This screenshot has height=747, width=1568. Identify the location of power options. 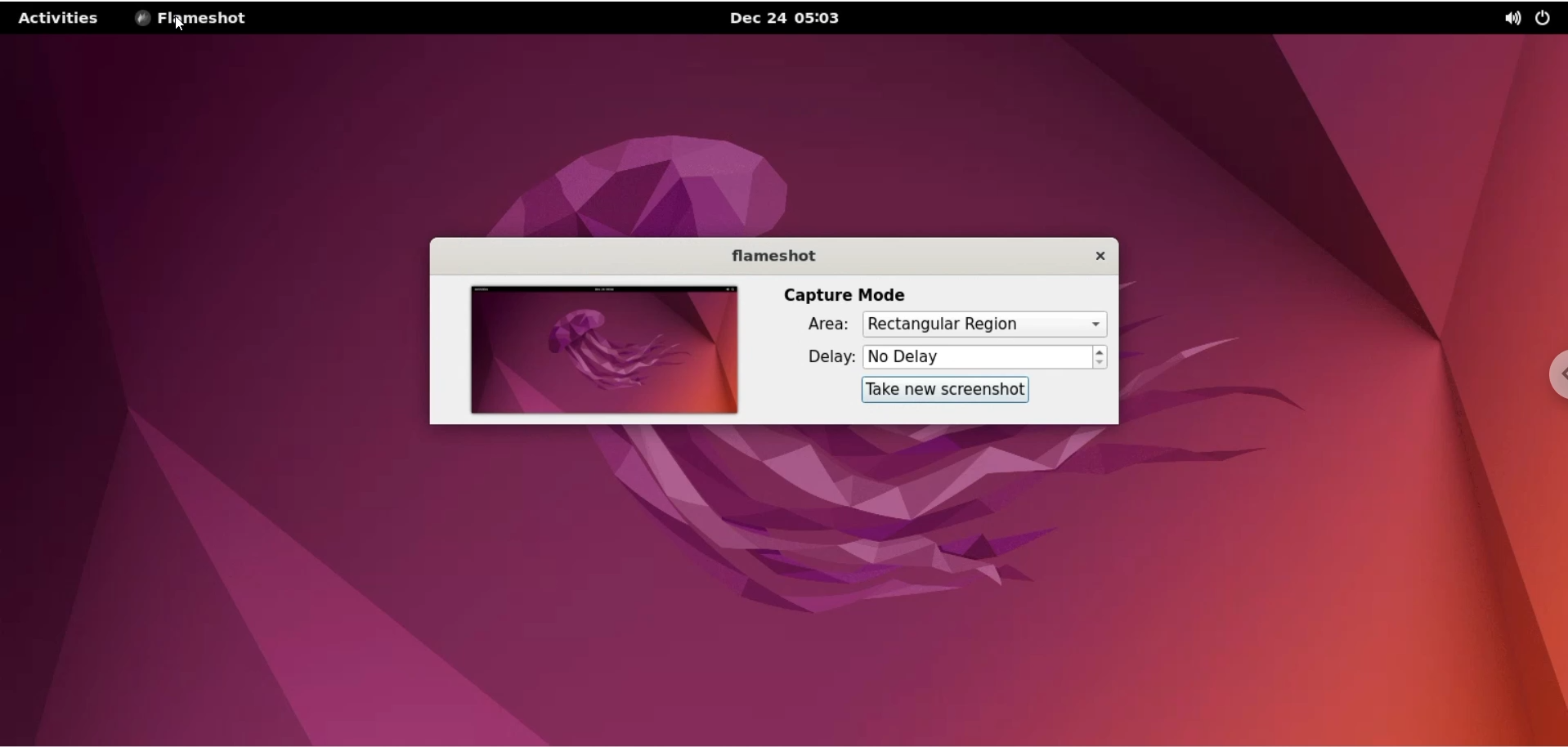
(1547, 16).